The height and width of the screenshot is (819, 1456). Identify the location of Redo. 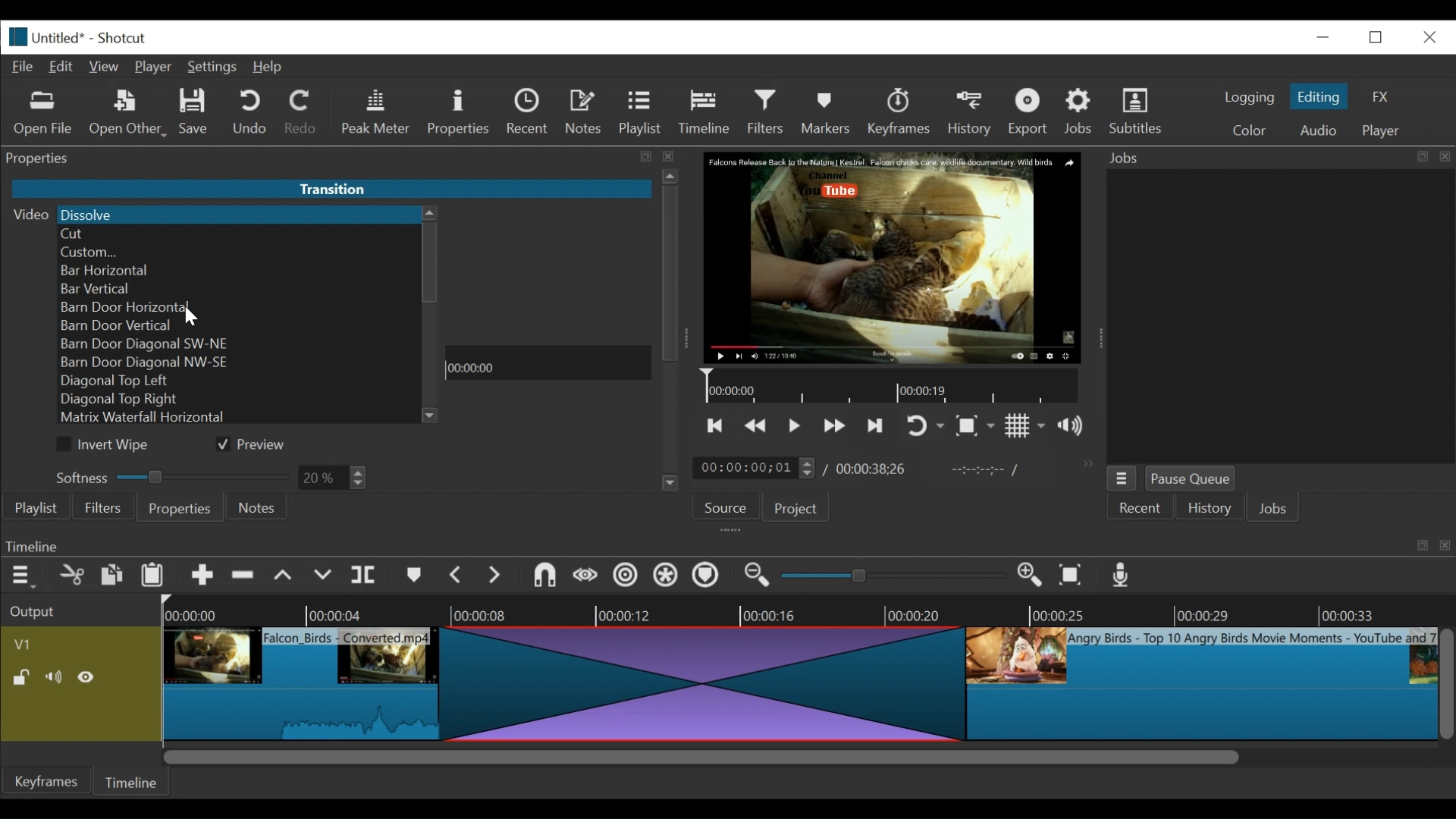
(301, 115).